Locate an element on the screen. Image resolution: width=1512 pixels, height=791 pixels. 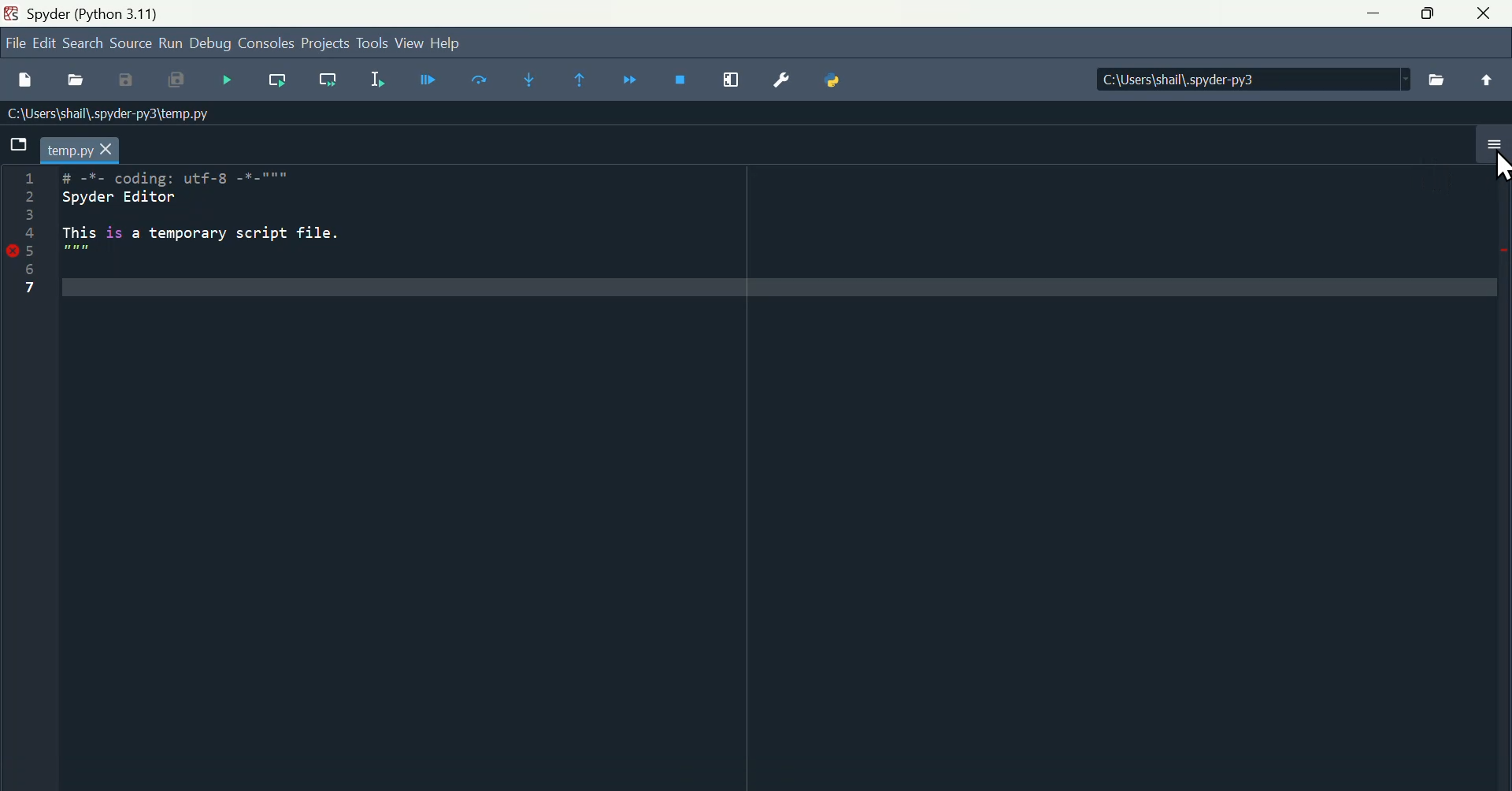
help is located at coordinates (454, 43).